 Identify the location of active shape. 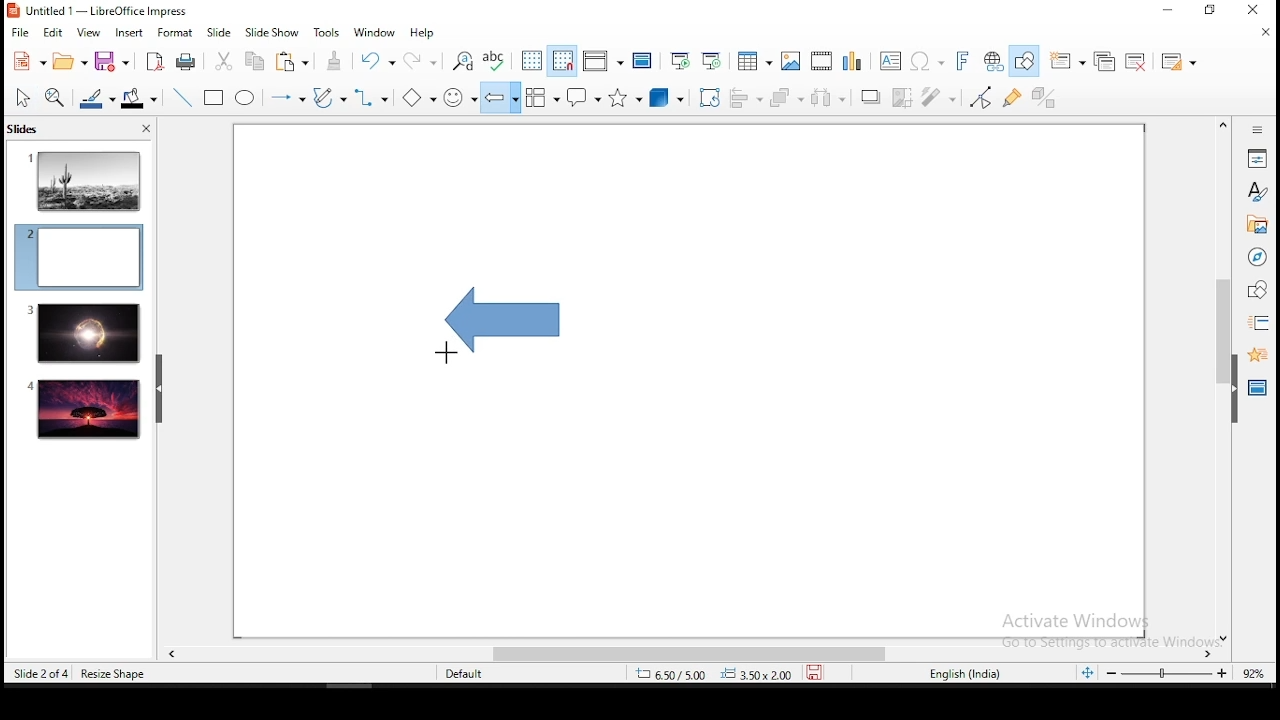
(499, 320).